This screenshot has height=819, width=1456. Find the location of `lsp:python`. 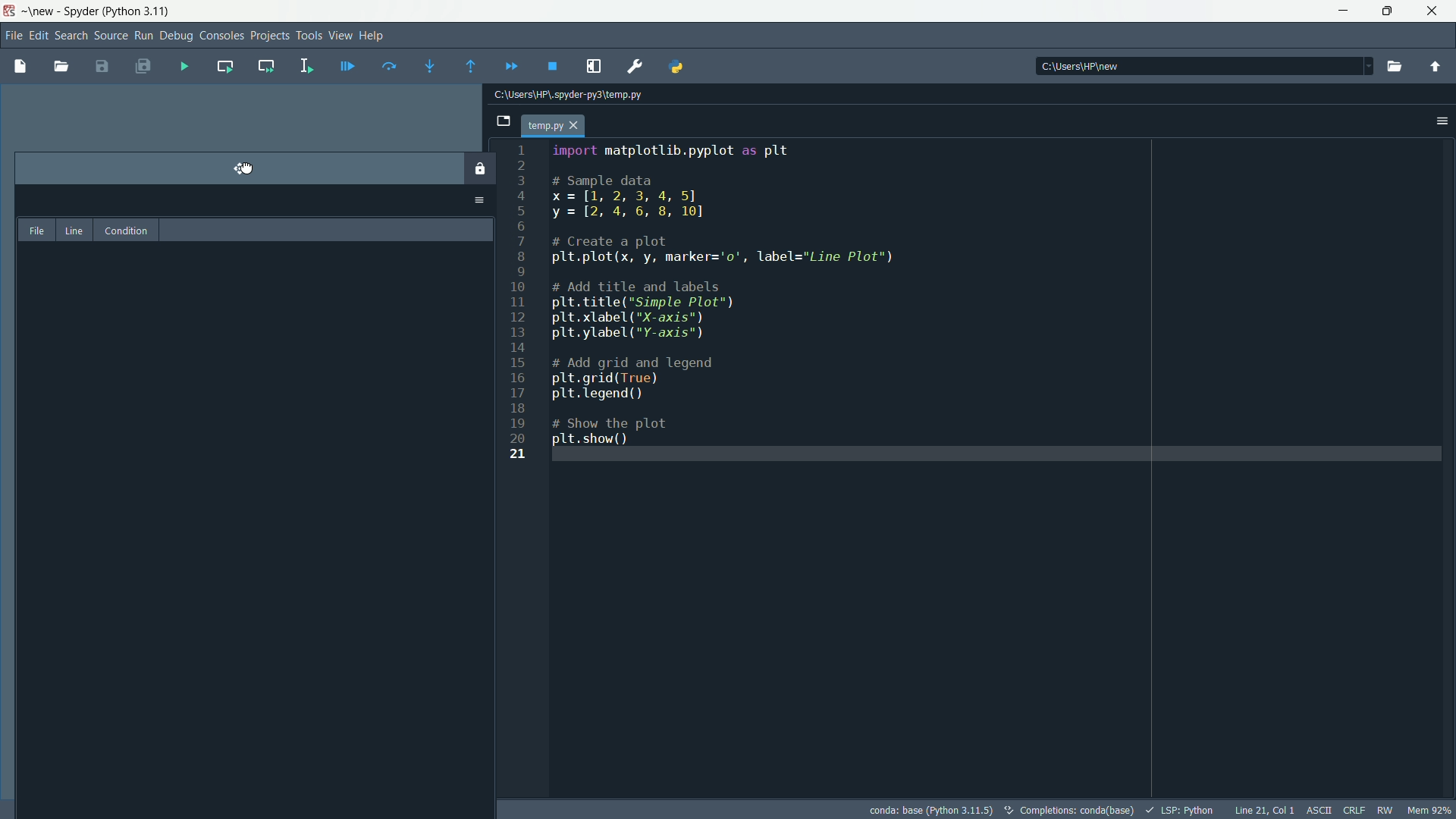

lsp:python is located at coordinates (1181, 809).